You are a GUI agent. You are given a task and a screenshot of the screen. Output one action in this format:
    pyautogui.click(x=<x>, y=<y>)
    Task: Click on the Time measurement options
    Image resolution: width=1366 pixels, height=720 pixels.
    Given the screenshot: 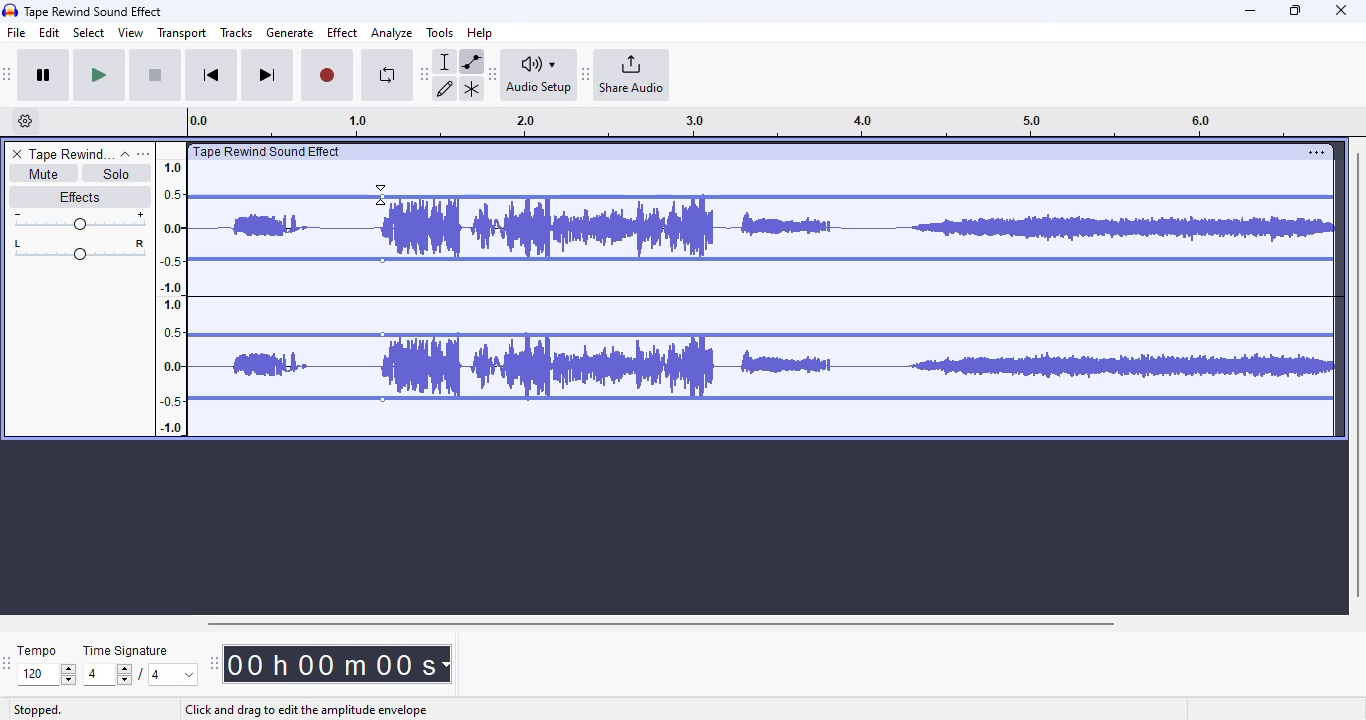 What is the action you would take?
    pyautogui.click(x=445, y=664)
    